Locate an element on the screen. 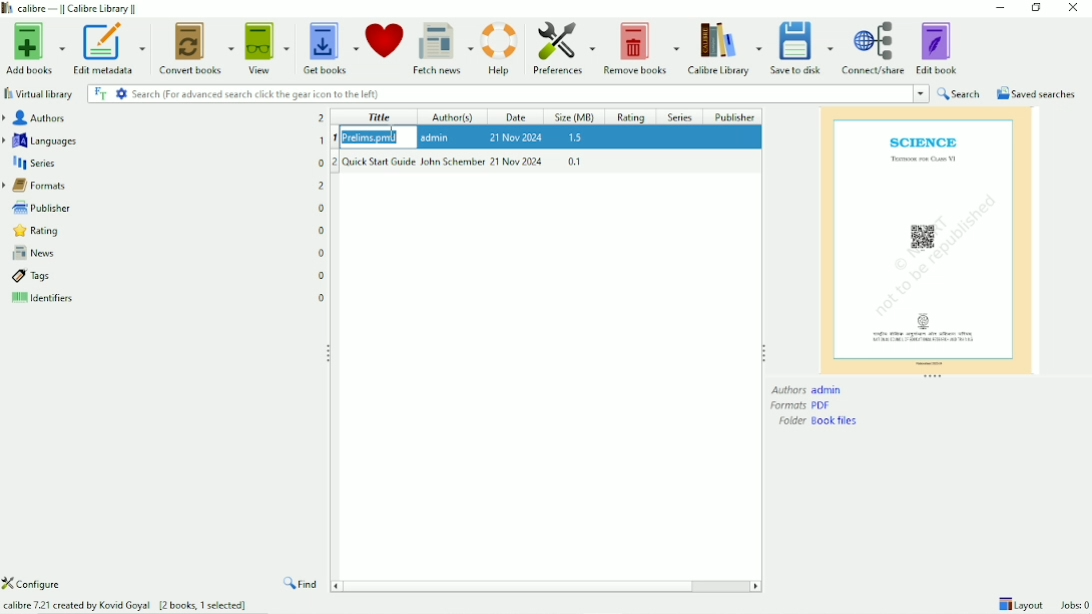 Image resolution: width=1092 pixels, height=614 pixels. 0 is located at coordinates (322, 253).